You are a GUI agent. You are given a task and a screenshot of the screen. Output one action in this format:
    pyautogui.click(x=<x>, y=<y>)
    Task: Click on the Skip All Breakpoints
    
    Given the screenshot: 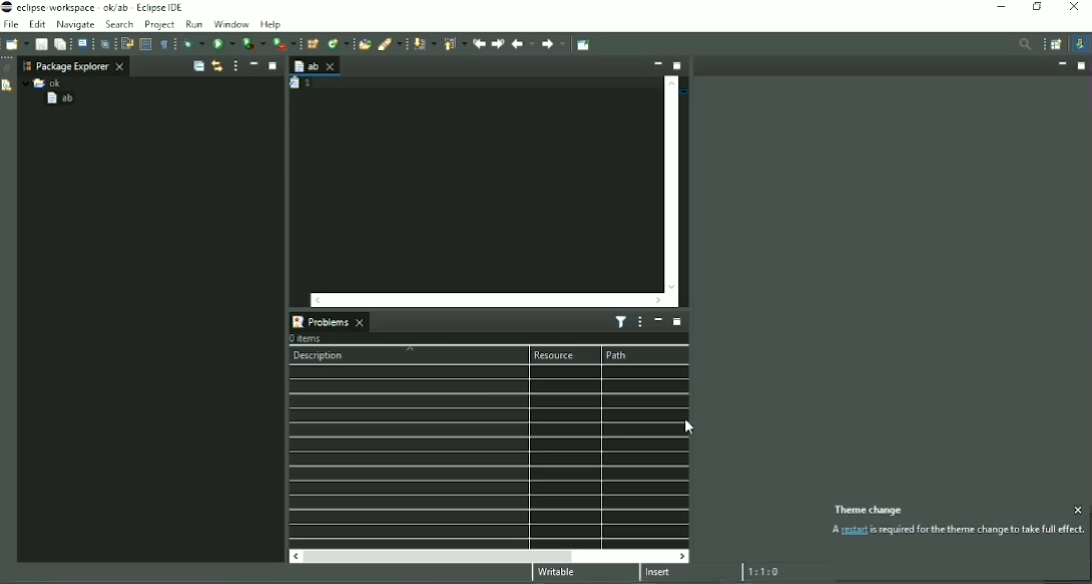 What is the action you would take?
    pyautogui.click(x=106, y=43)
    